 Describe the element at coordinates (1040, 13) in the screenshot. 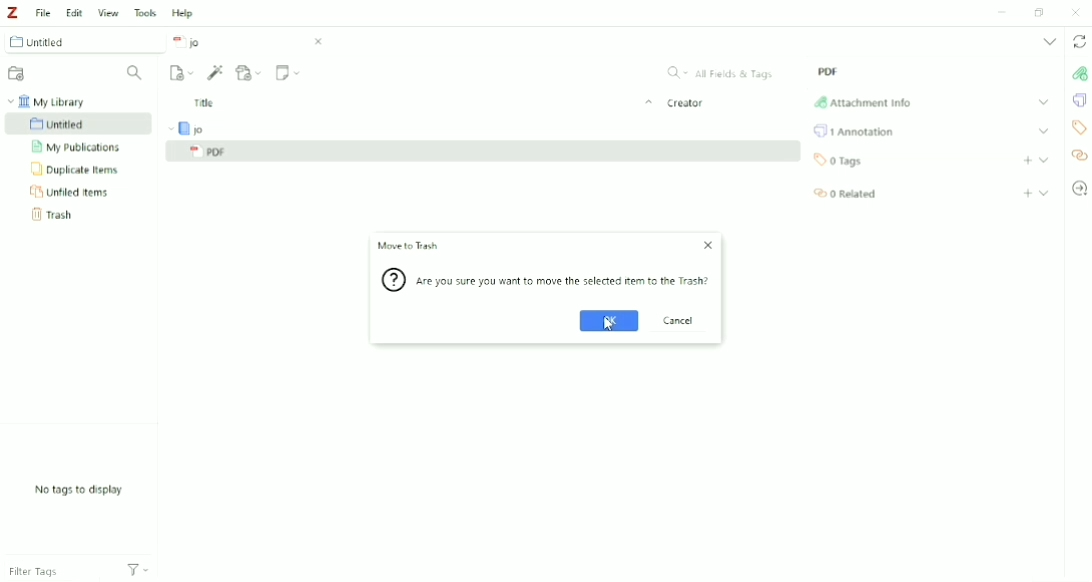

I see `Restore down` at that location.